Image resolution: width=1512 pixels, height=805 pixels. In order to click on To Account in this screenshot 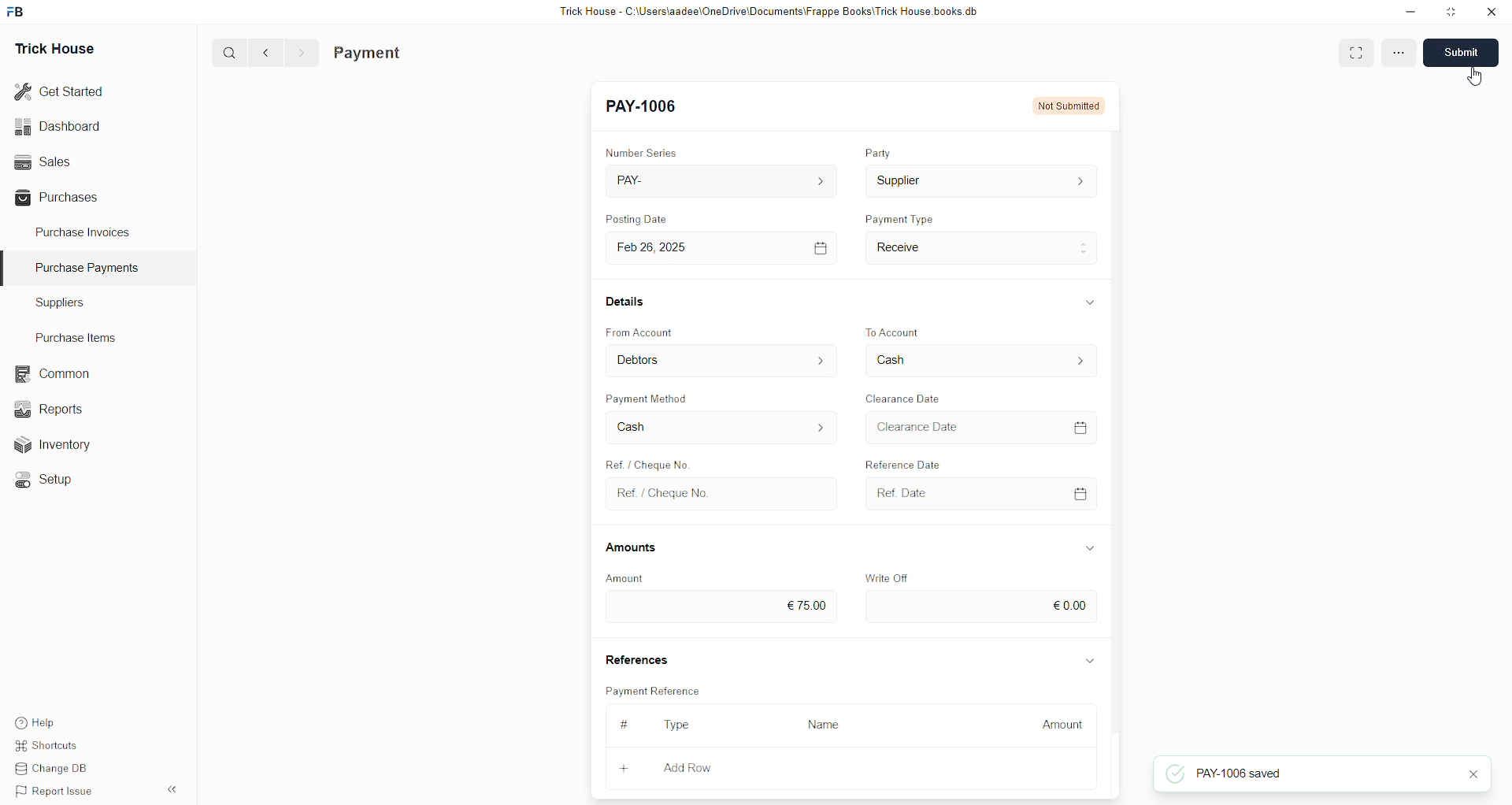, I will do `click(898, 326)`.